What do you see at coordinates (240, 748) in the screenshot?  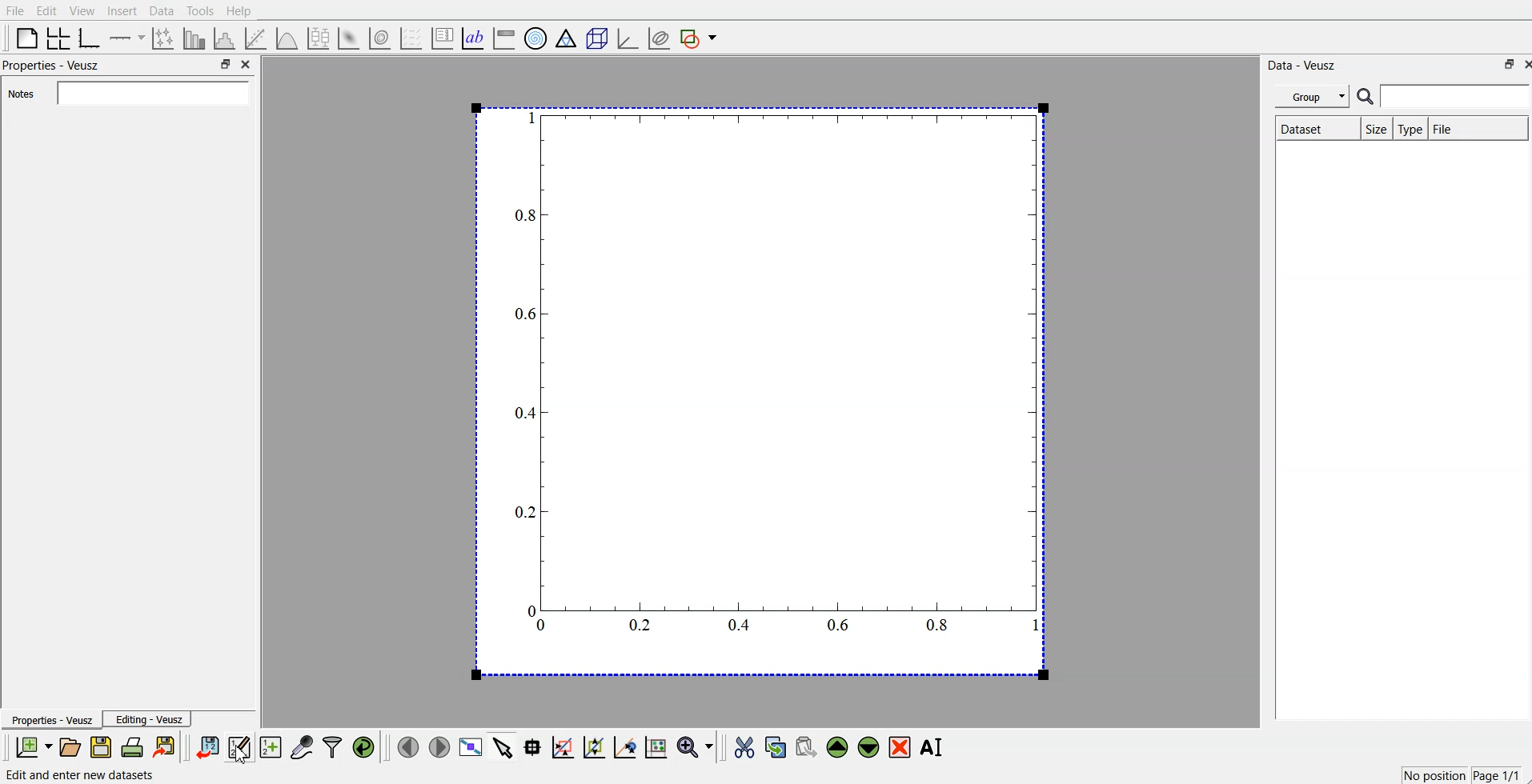 I see `edit and enter datapoints` at bounding box center [240, 748].